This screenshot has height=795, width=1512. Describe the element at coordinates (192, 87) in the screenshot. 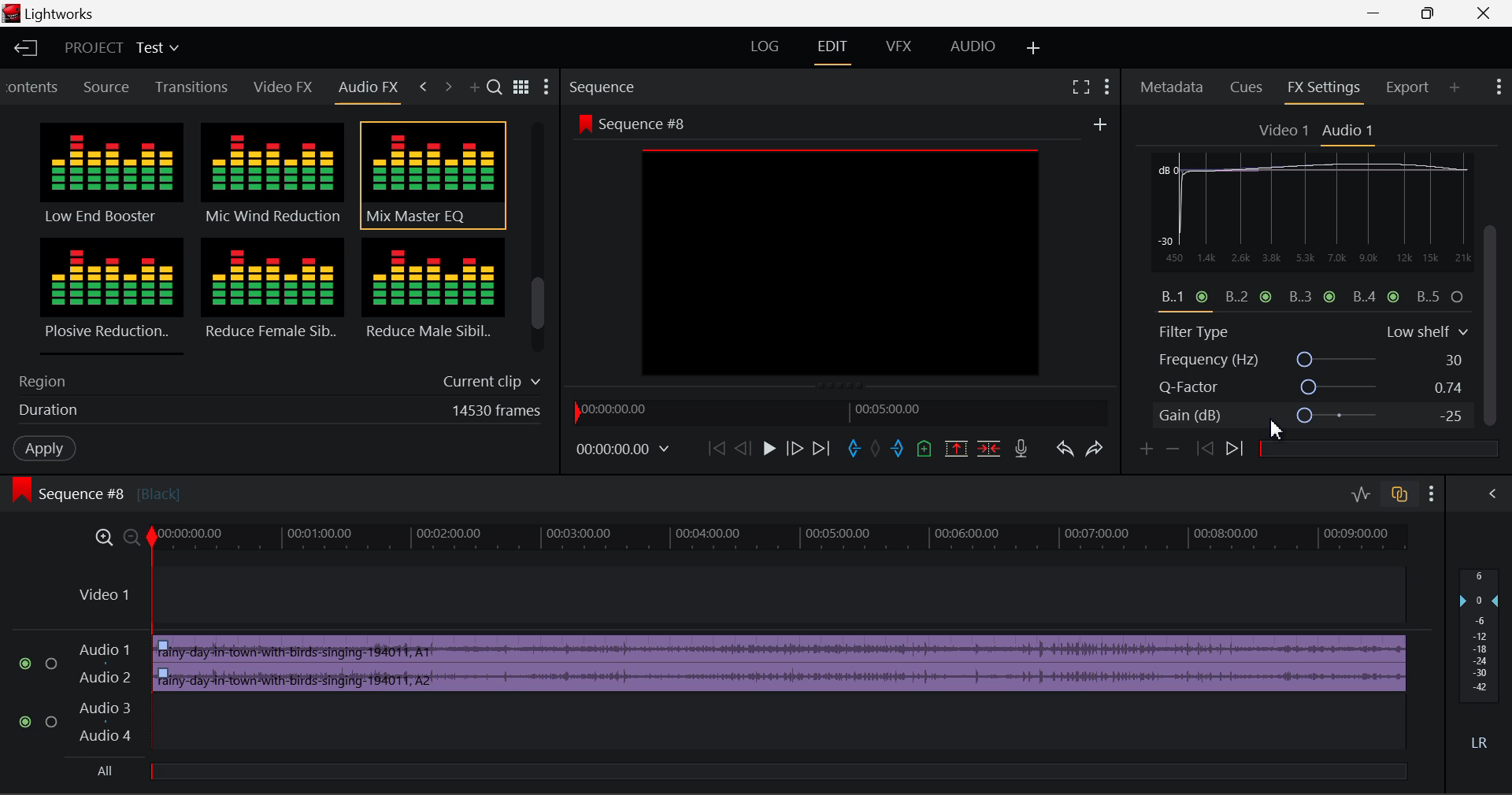

I see `Transitions` at that location.